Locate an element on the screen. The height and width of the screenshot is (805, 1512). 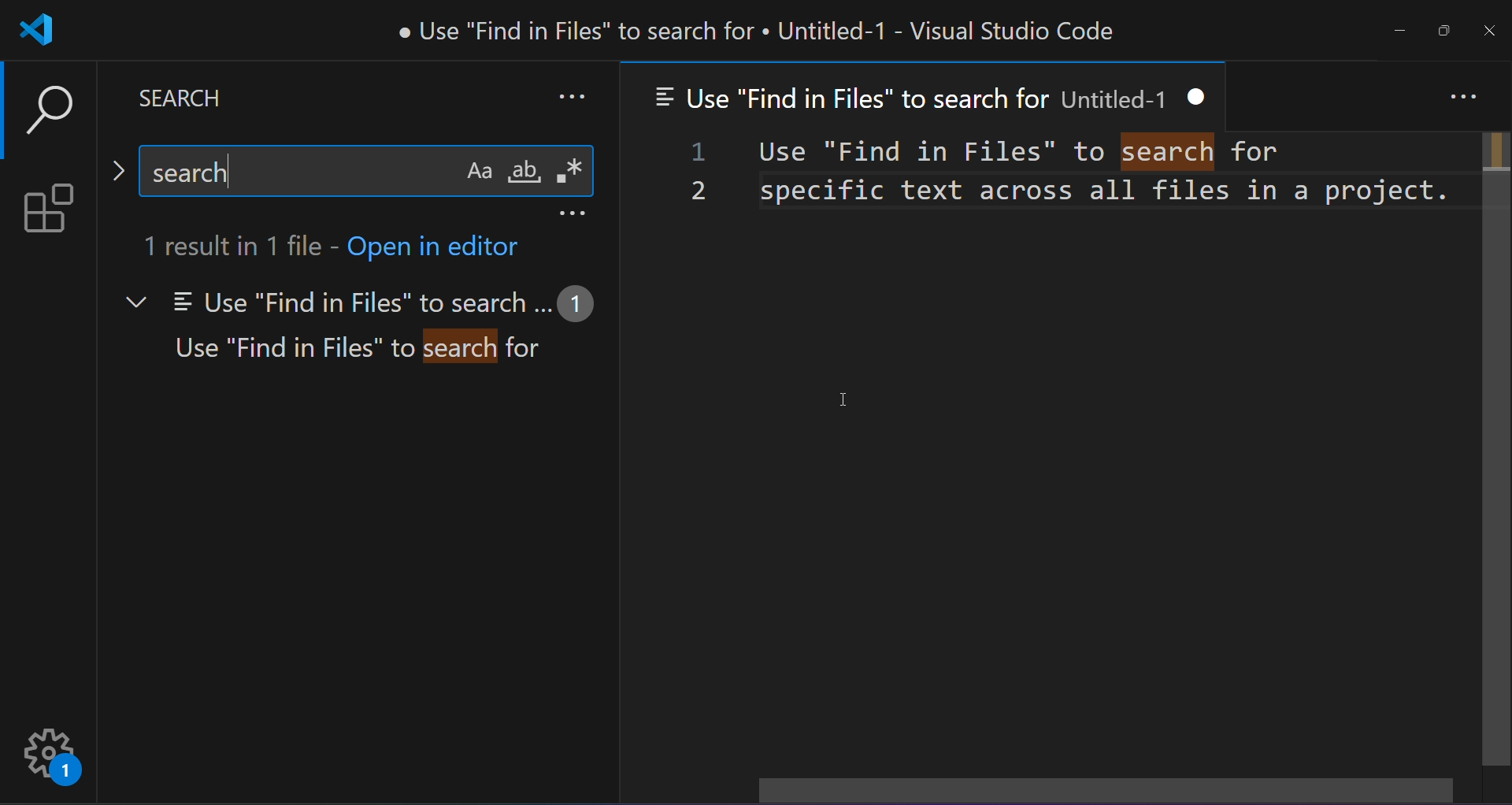
horizontal scrollbar is located at coordinates (1101, 790).